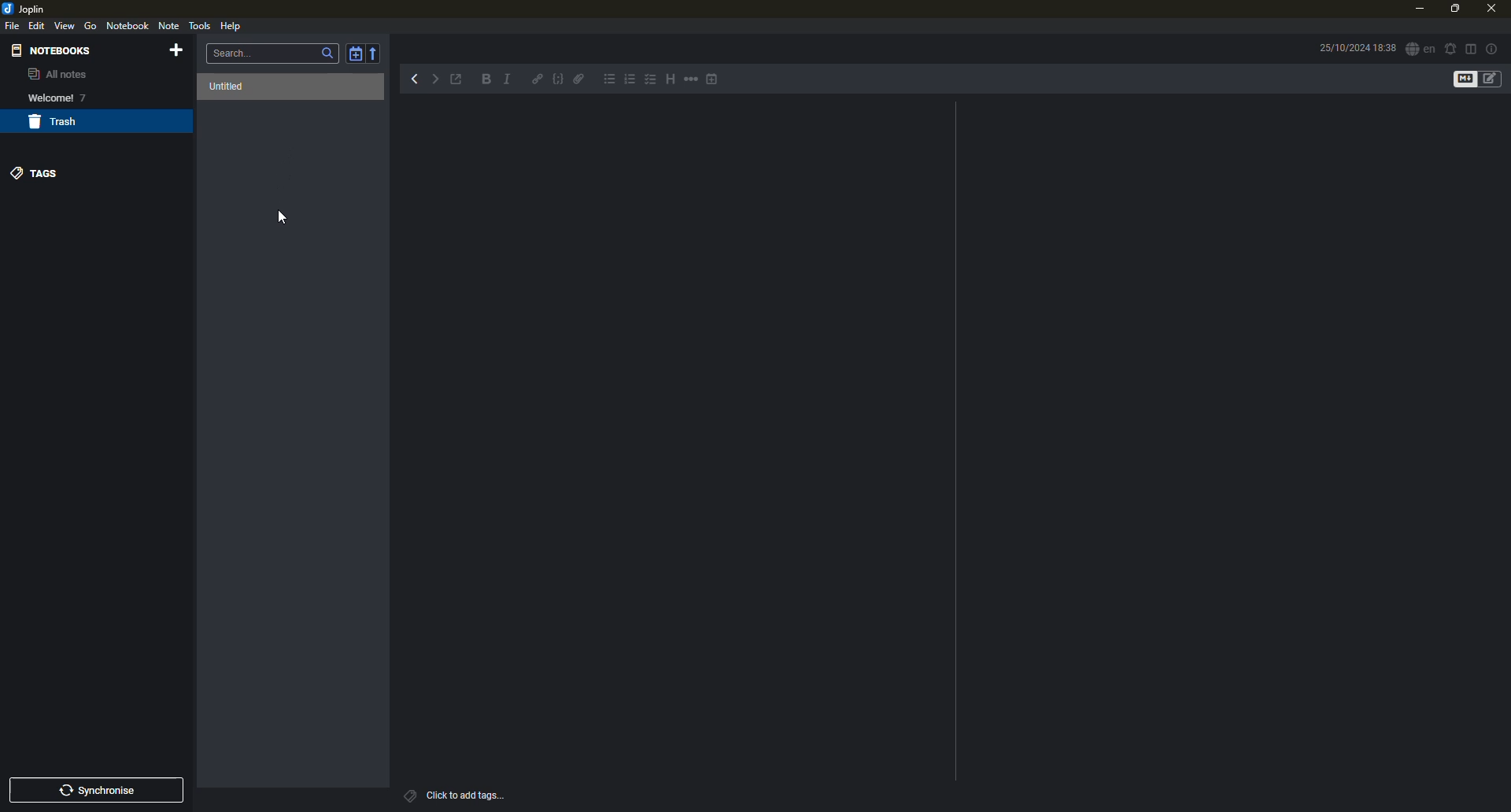 This screenshot has height=812, width=1511. I want to click on tools, so click(200, 25).